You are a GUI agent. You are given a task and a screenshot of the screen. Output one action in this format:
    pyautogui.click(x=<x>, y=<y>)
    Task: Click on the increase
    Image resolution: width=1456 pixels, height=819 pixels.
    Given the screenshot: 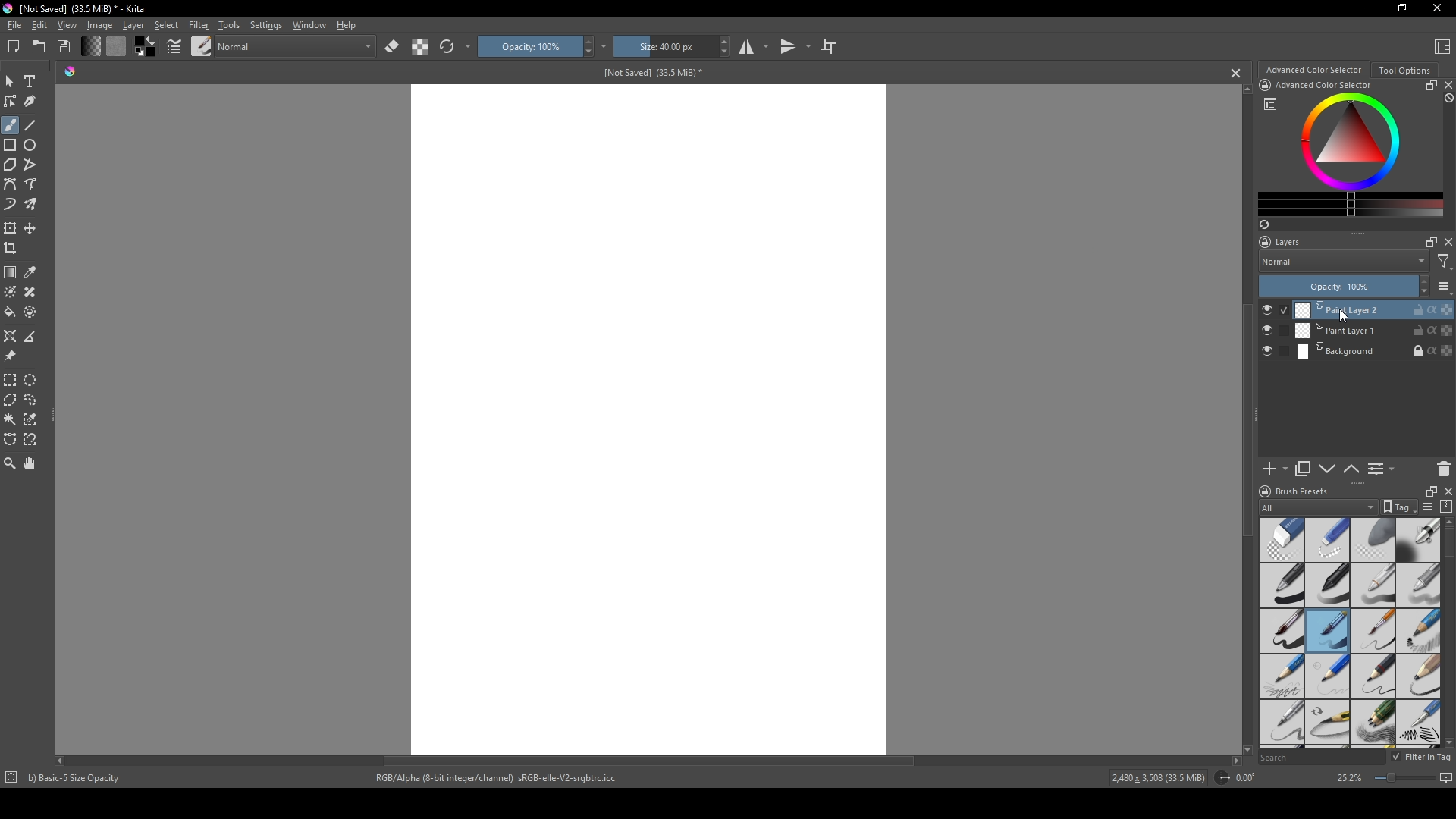 What is the action you would take?
    pyautogui.click(x=1423, y=281)
    